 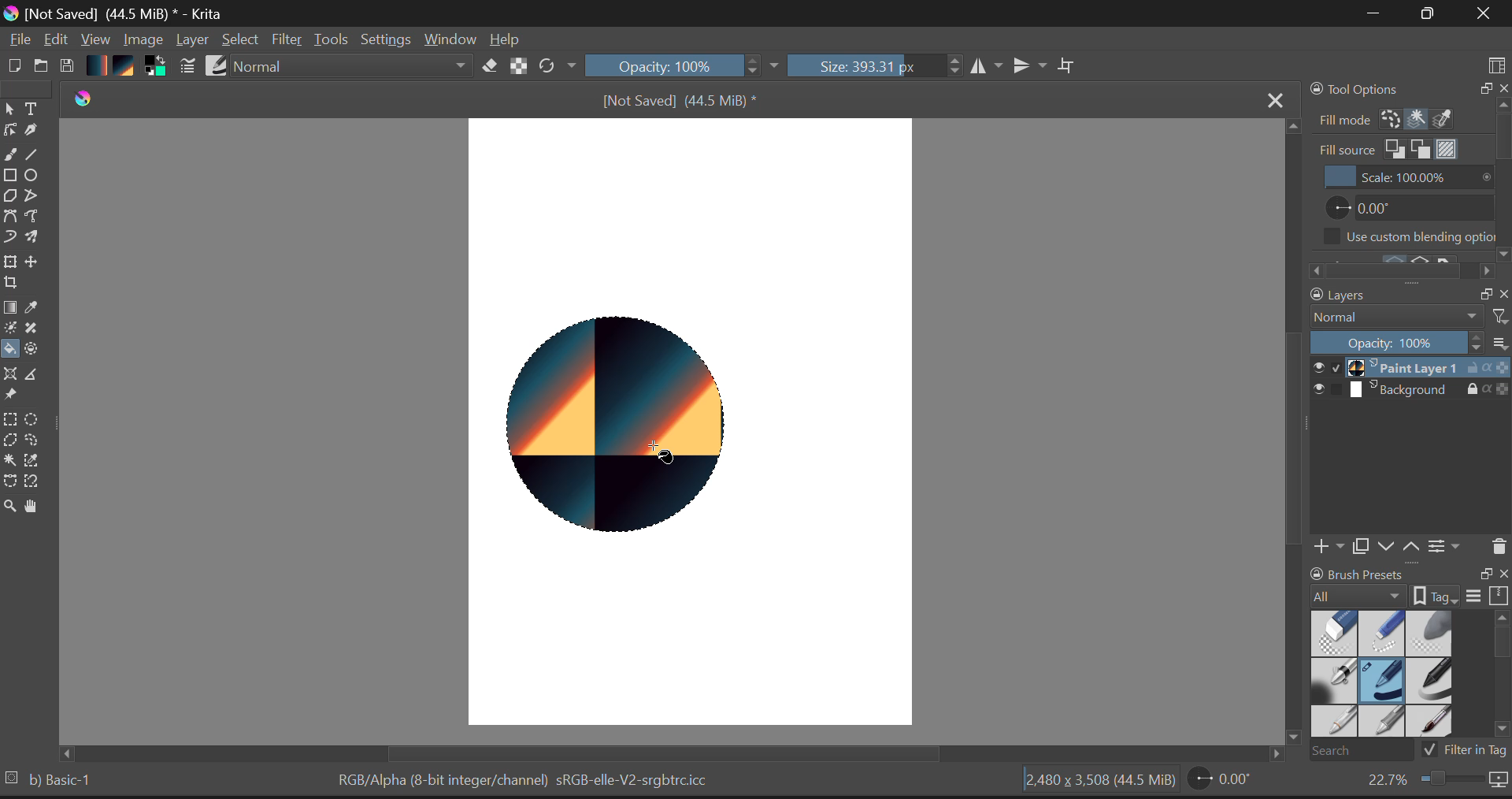 What do you see at coordinates (684, 67) in the screenshot?
I see `Opacity` at bounding box center [684, 67].